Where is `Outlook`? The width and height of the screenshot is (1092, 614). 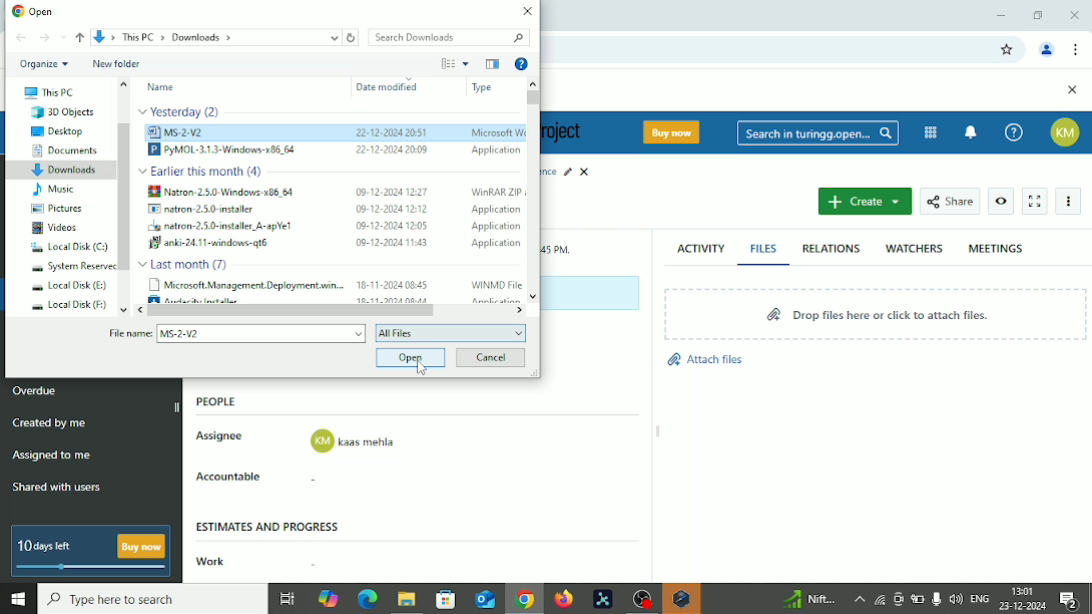
Outlook is located at coordinates (483, 599).